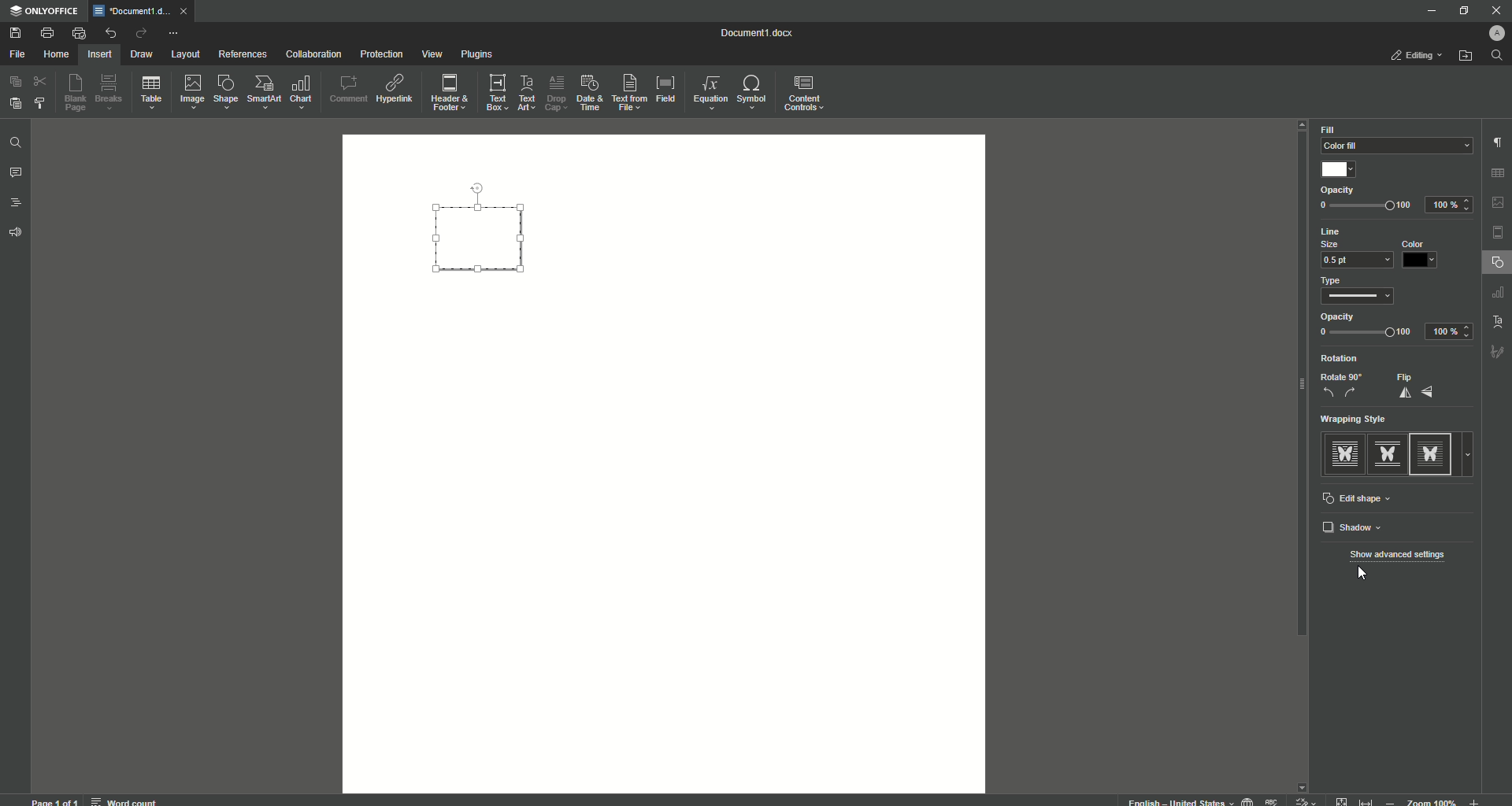 This screenshot has width=1512, height=806. I want to click on Opacity, so click(1339, 316).